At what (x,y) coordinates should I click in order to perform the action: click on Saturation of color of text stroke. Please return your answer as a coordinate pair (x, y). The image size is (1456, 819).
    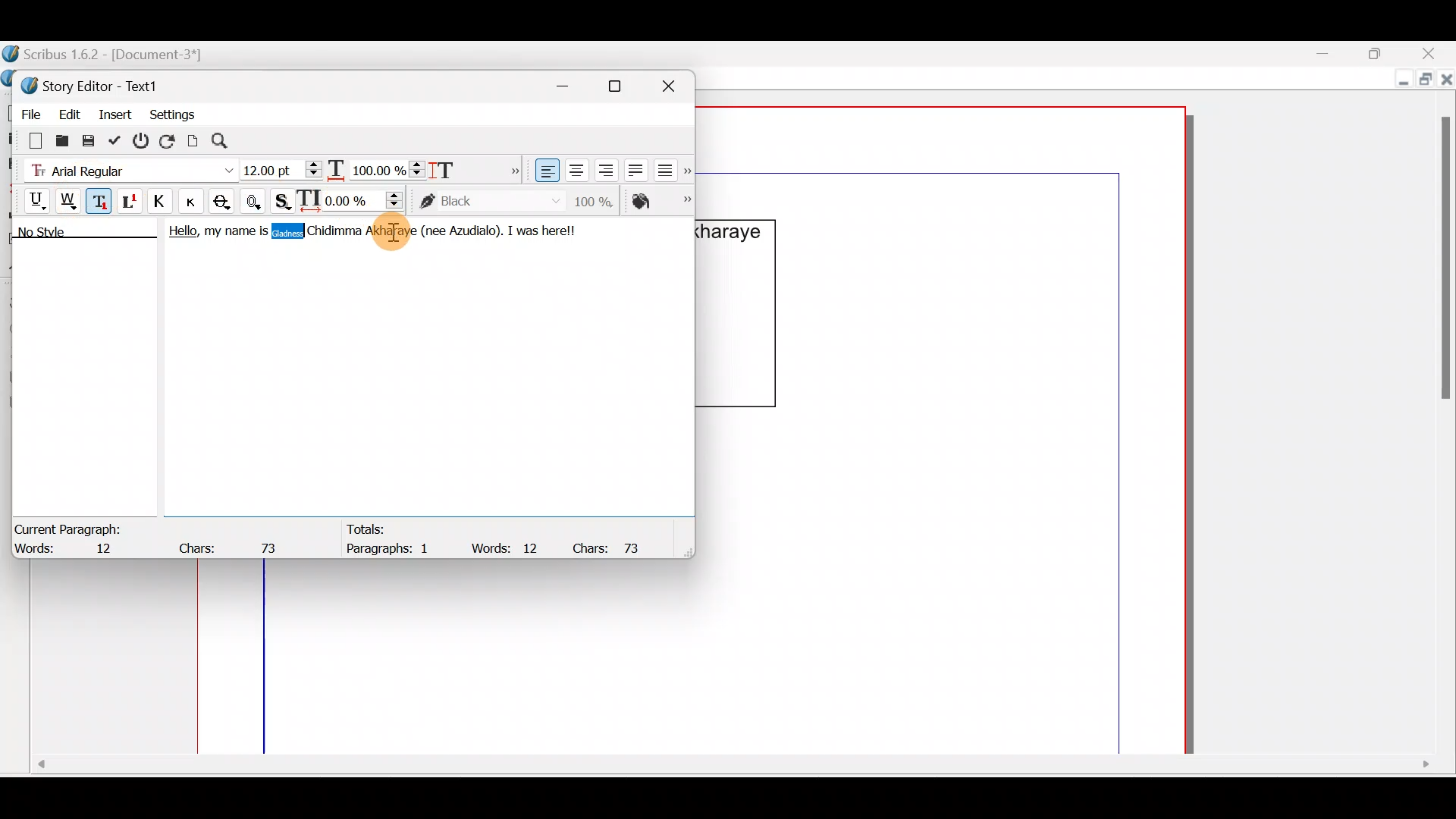
    Looking at the image, I should click on (599, 199).